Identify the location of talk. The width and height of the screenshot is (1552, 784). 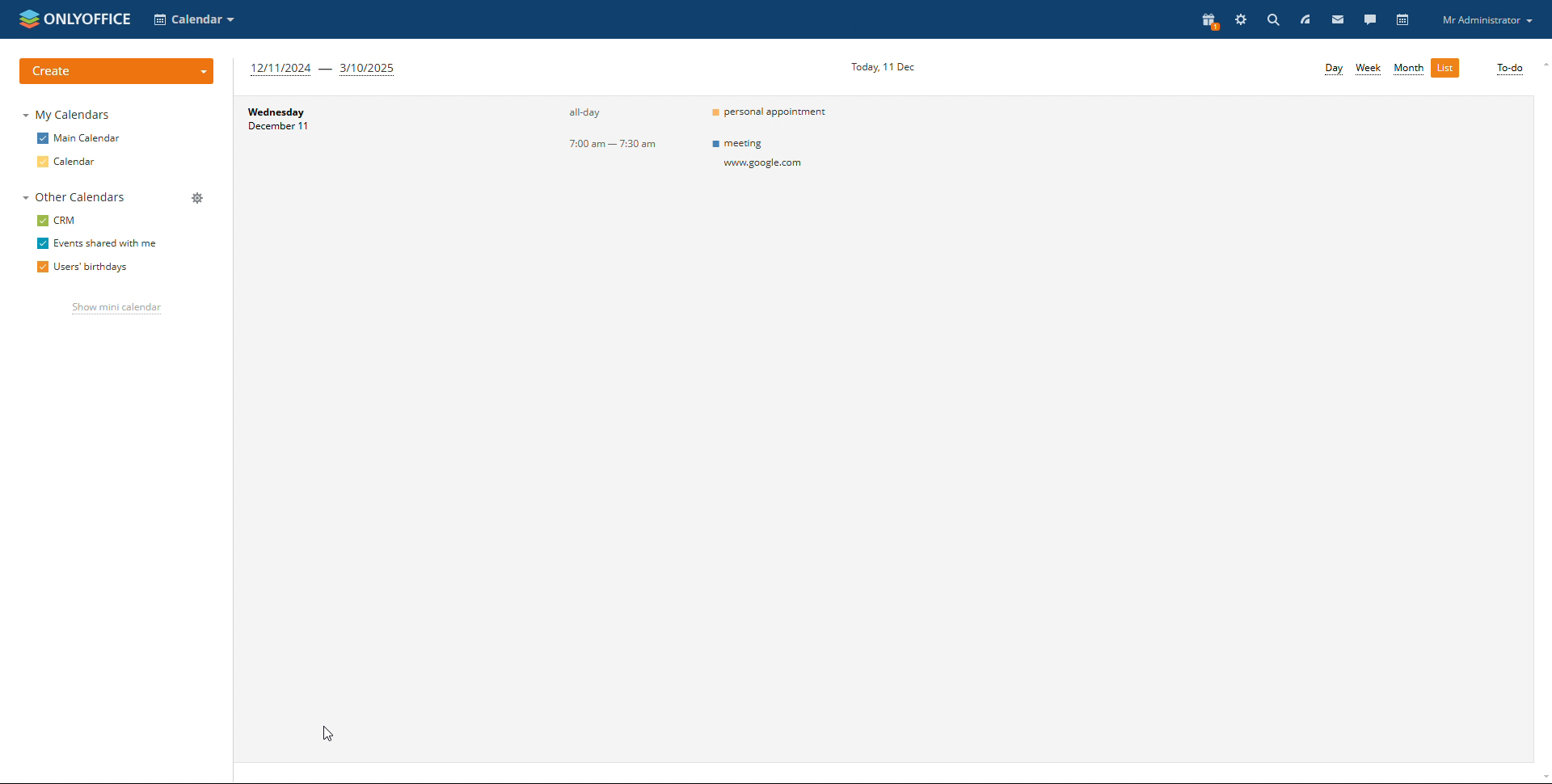
(1370, 20).